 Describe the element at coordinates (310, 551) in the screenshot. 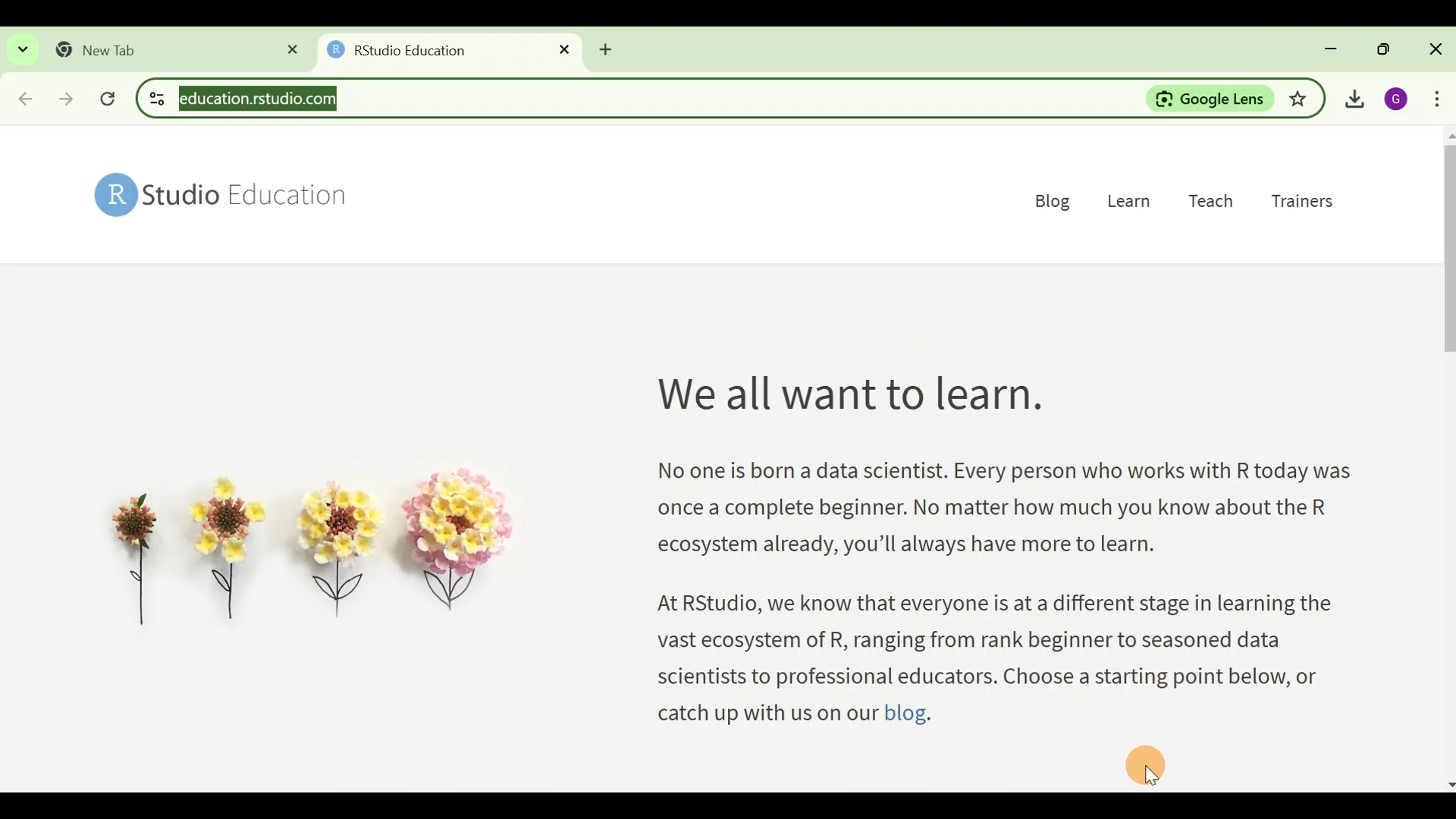

I see `Flowers` at that location.